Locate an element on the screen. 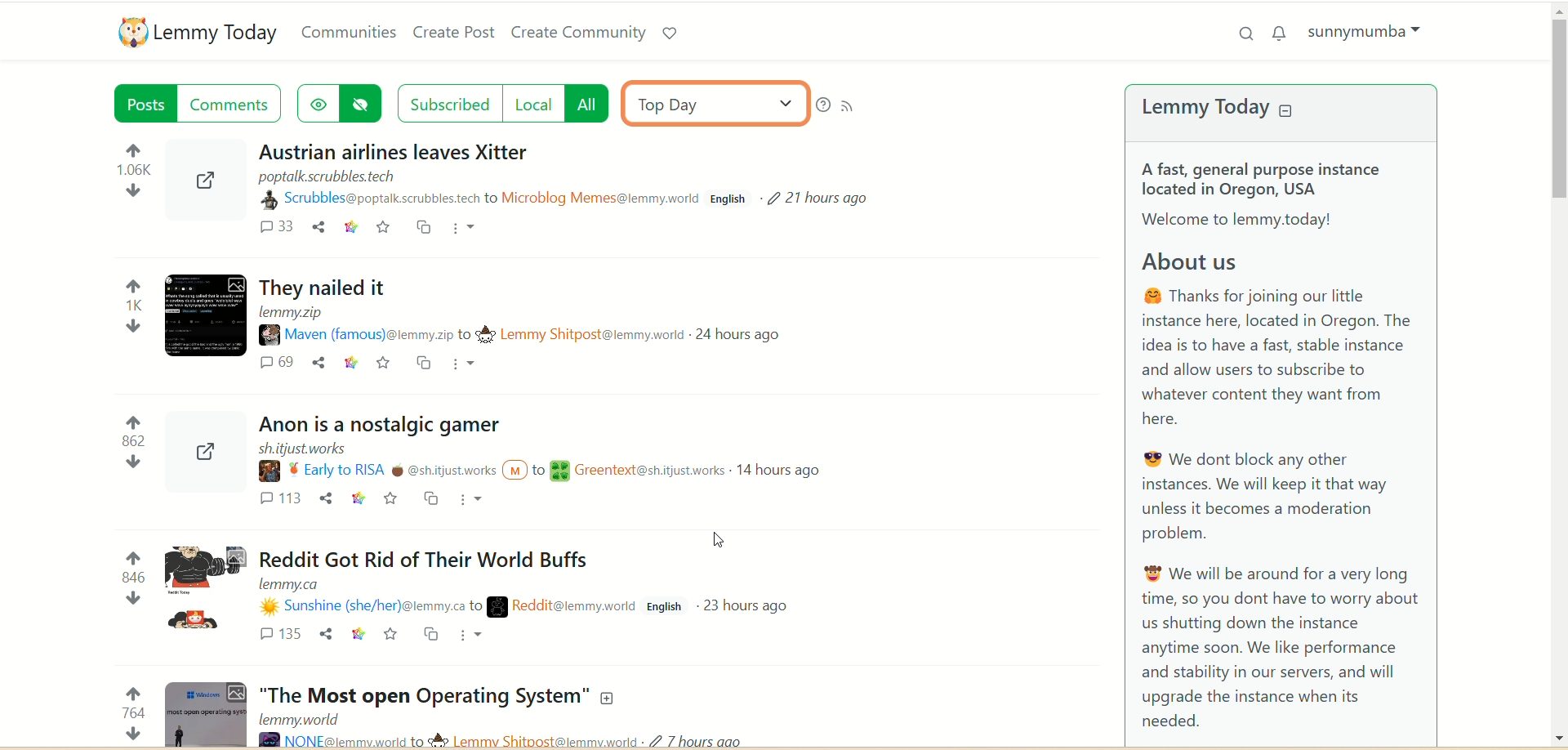 This screenshot has height=750, width=1568. local is located at coordinates (537, 104).